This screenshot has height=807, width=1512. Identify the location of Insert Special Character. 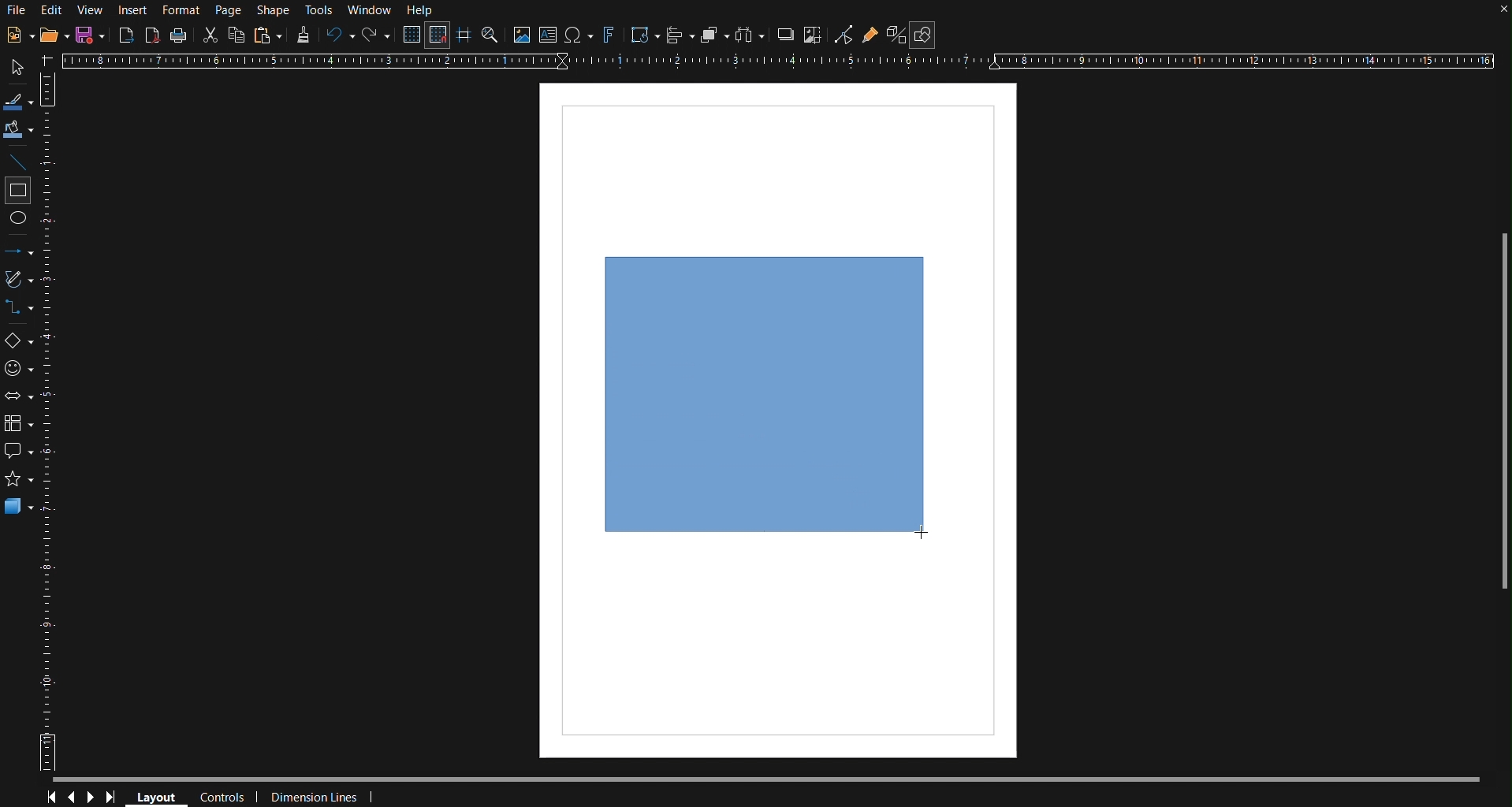
(578, 35).